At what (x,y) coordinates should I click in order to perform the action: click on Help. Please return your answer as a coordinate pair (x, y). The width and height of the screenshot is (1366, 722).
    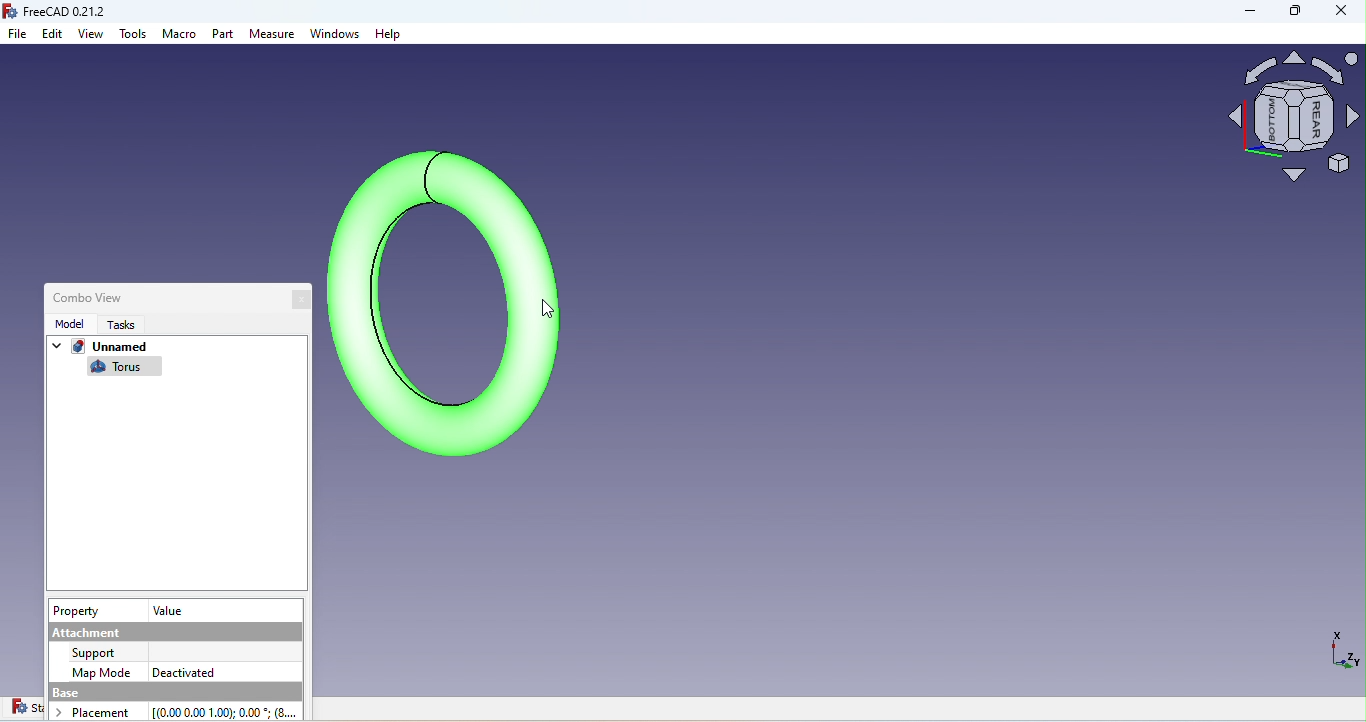
    Looking at the image, I should click on (388, 35).